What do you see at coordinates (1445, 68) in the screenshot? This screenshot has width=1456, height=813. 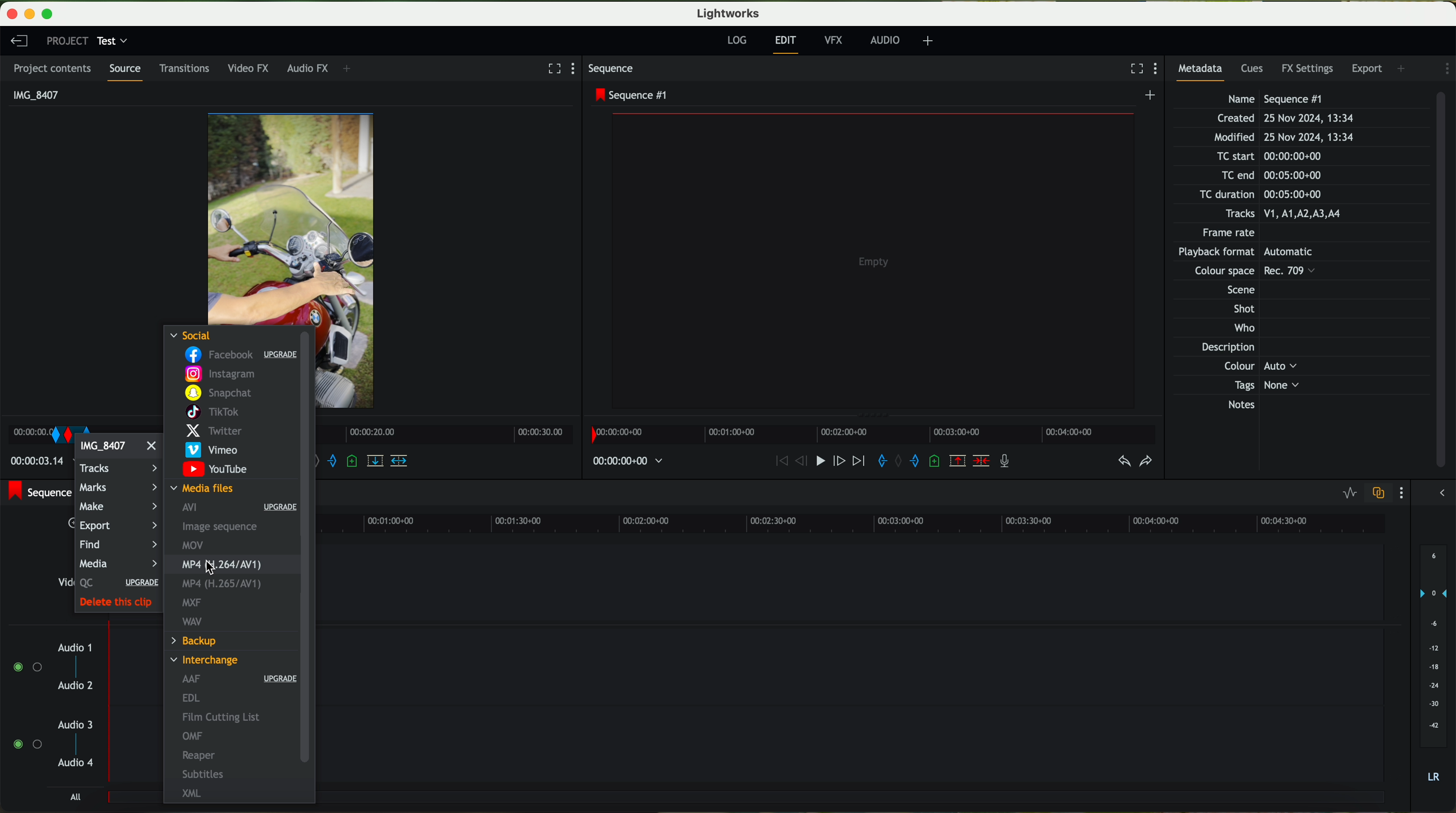 I see `show settings menu` at bounding box center [1445, 68].